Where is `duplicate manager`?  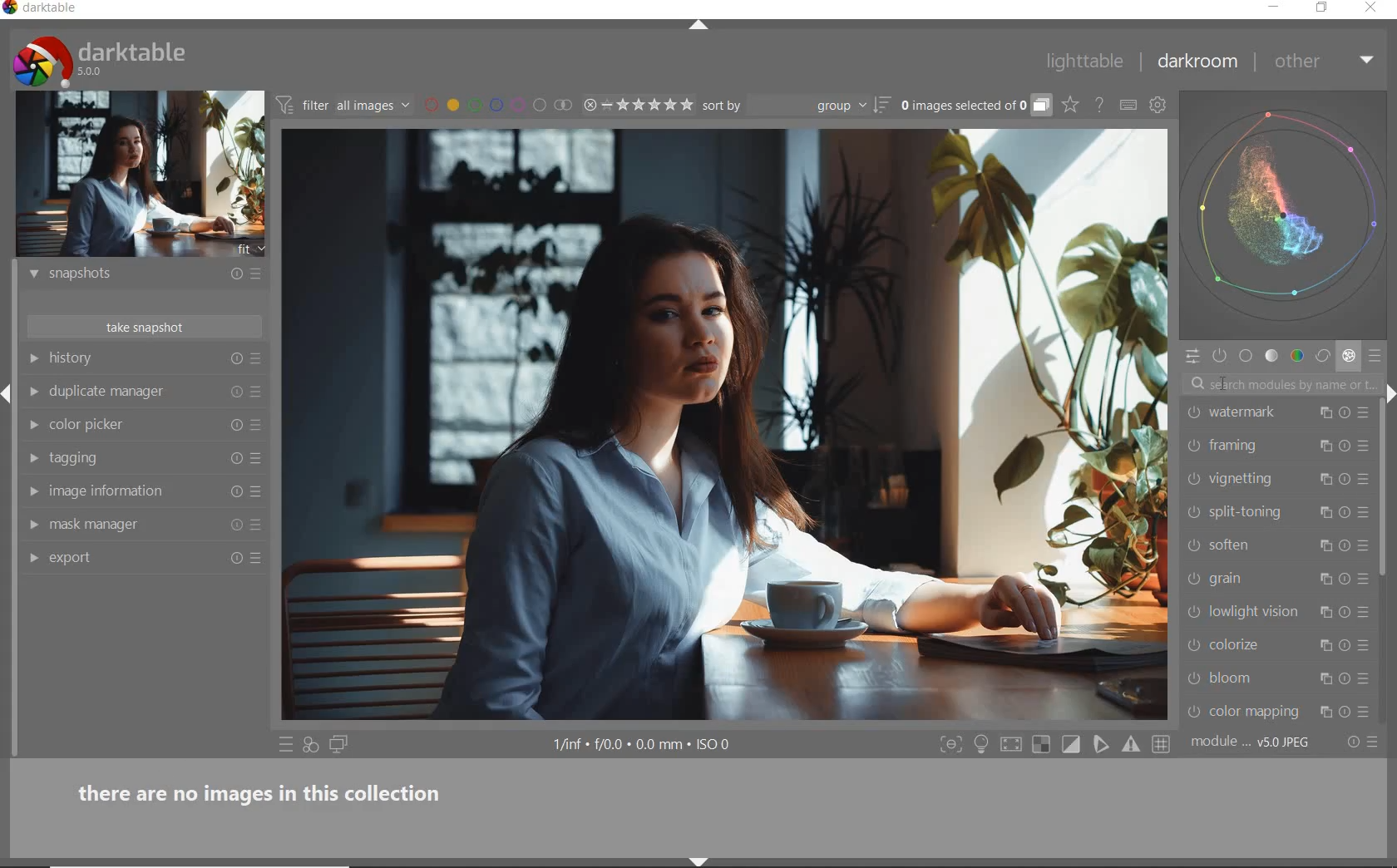
duplicate manager is located at coordinates (120, 391).